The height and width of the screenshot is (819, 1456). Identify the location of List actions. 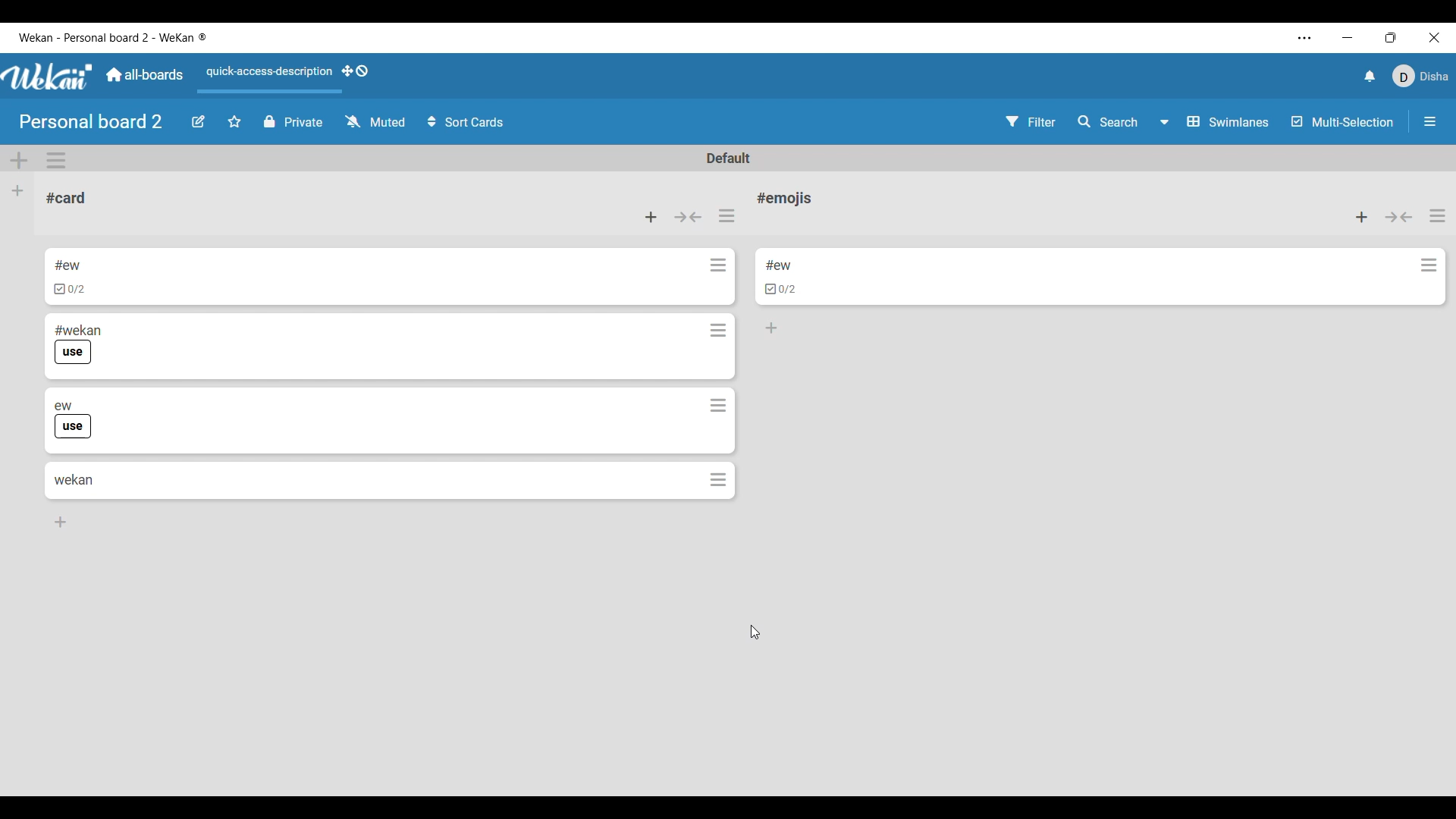
(726, 215).